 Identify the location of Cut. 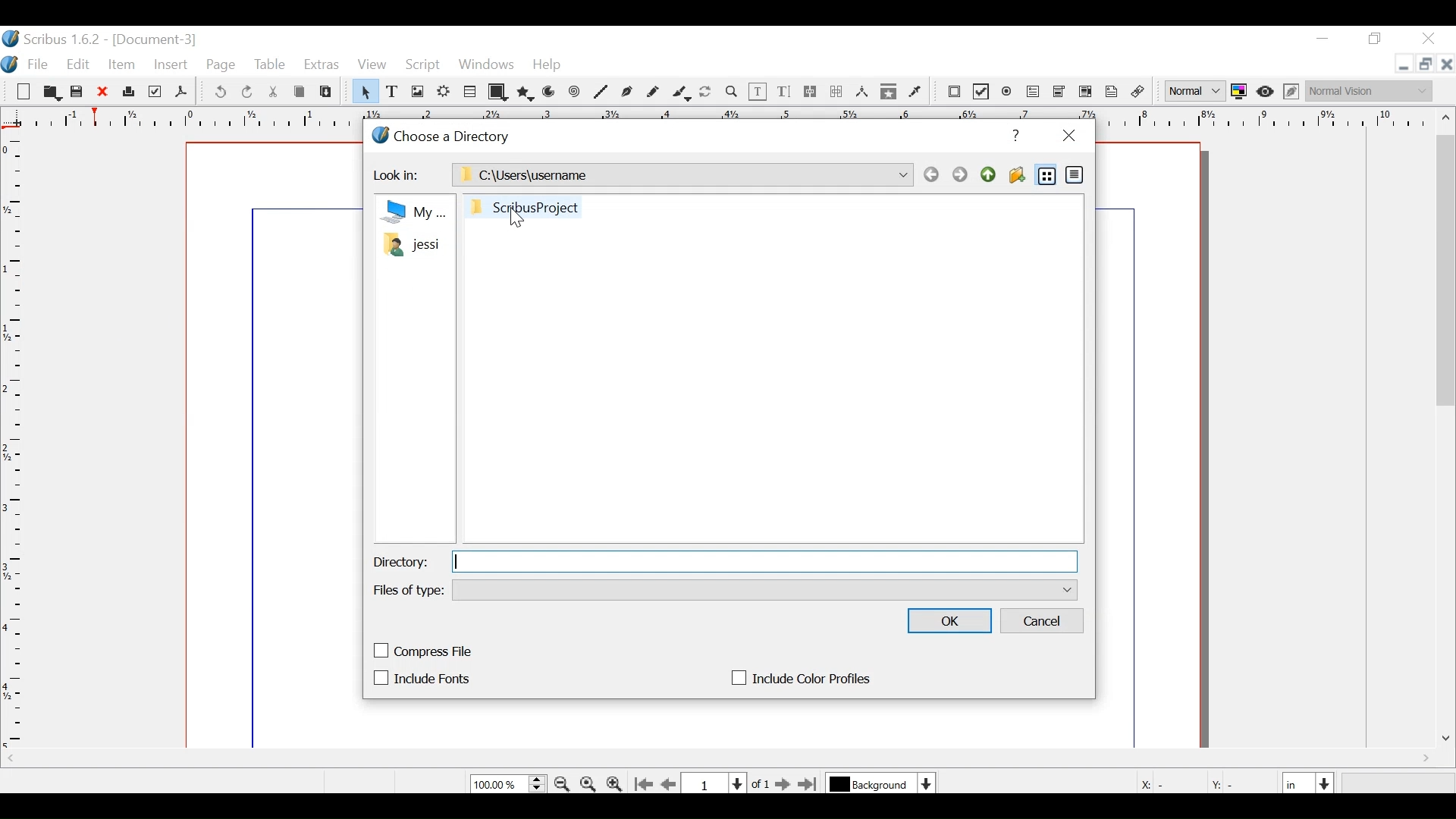
(275, 93).